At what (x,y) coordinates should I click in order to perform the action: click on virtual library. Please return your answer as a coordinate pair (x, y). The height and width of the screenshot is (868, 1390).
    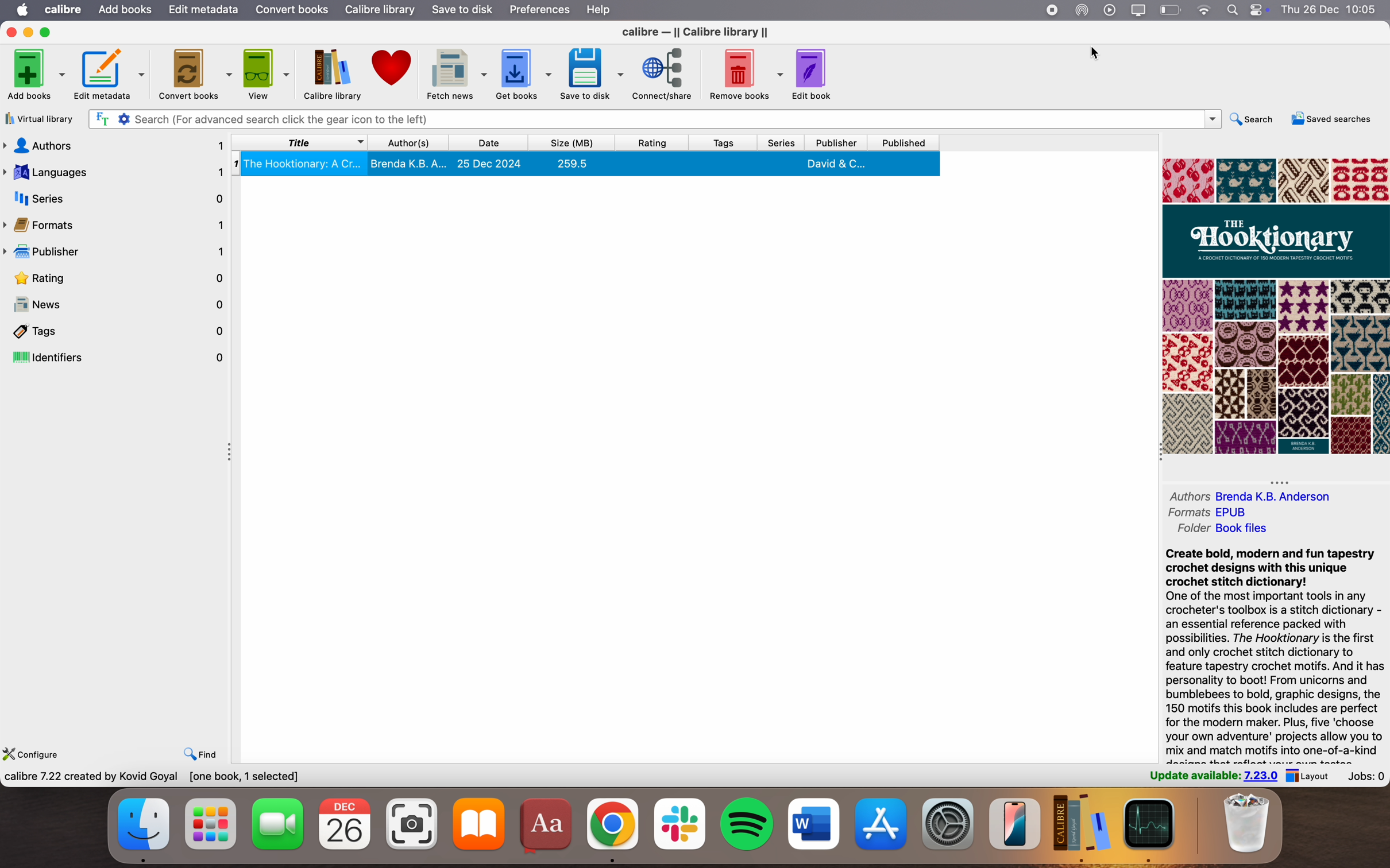
    Looking at the image, I should click on (41, 117).